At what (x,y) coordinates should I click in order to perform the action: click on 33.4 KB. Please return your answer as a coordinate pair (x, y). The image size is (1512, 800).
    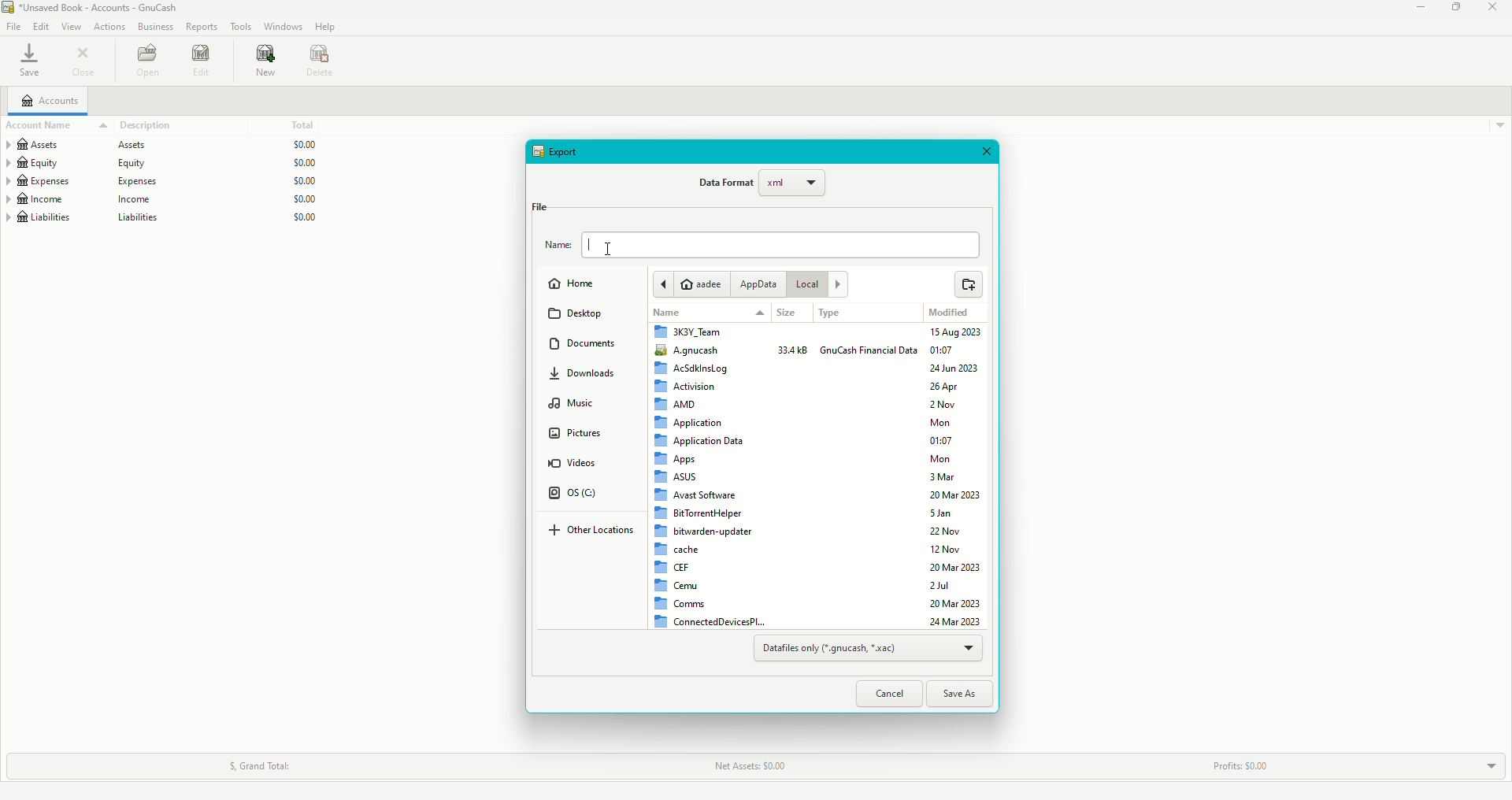
    Looking at the image, I should click on (793, 350).